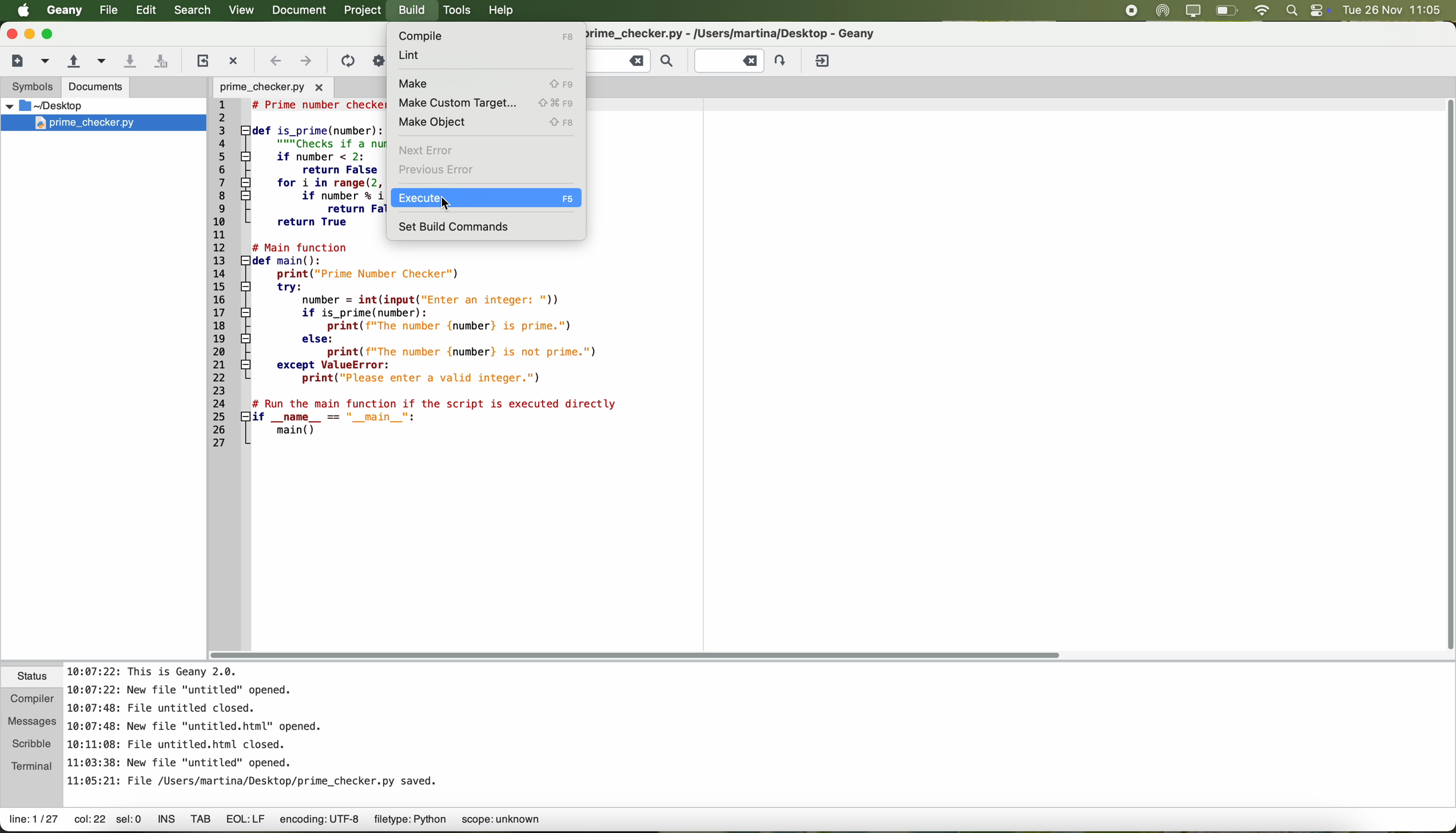 The width and height of the screenshot is (1456, 833). I want to click on cursor, so click(443, 207).